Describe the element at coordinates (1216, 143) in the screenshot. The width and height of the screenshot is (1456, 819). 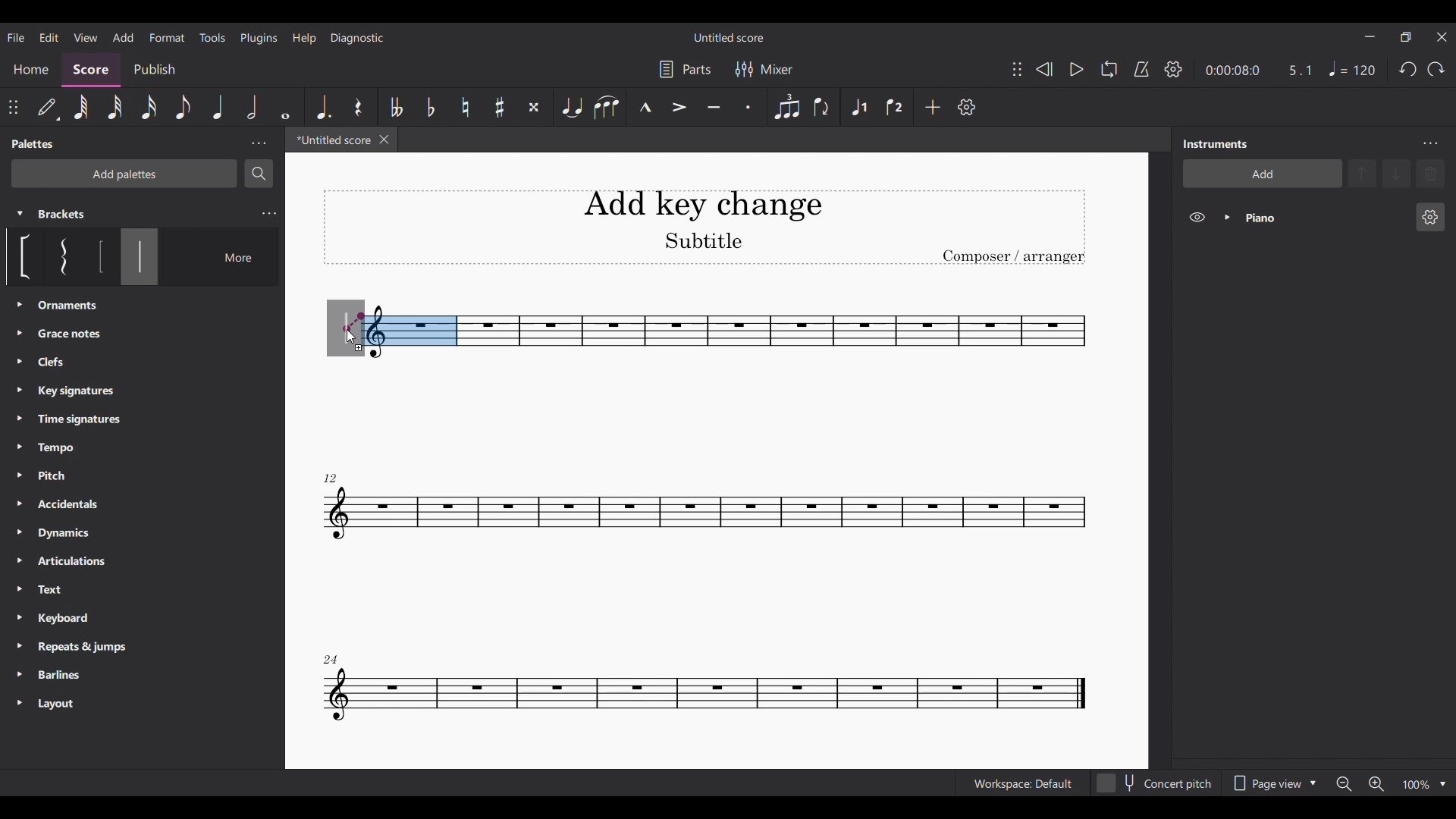
I see `Panel title` at that location.